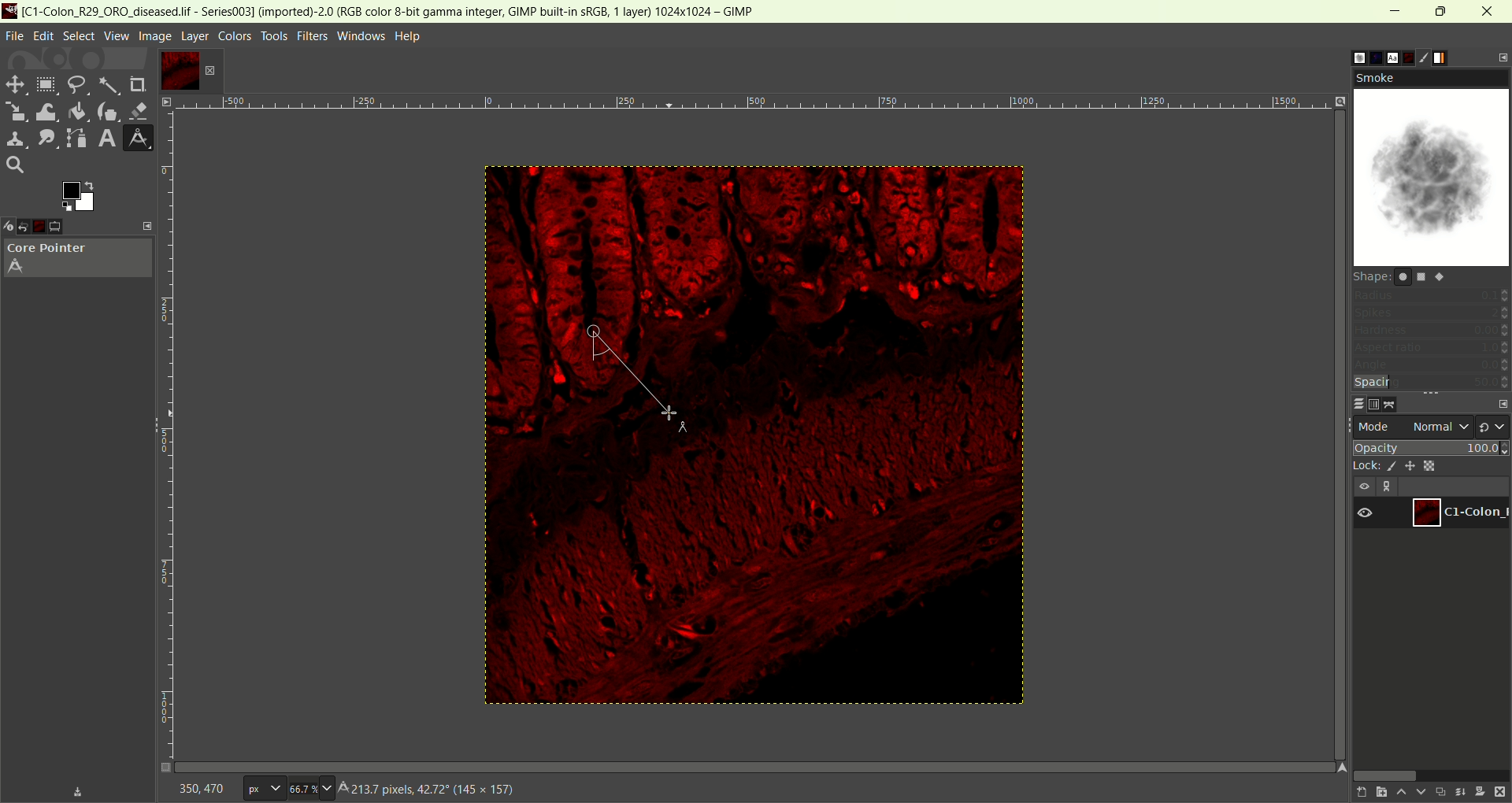 The height and width of the screenshot is (803, 1512). What do you see at coordinates (363, 36) in the screenshot?
I see `windows` at bounding box center [363, 36].